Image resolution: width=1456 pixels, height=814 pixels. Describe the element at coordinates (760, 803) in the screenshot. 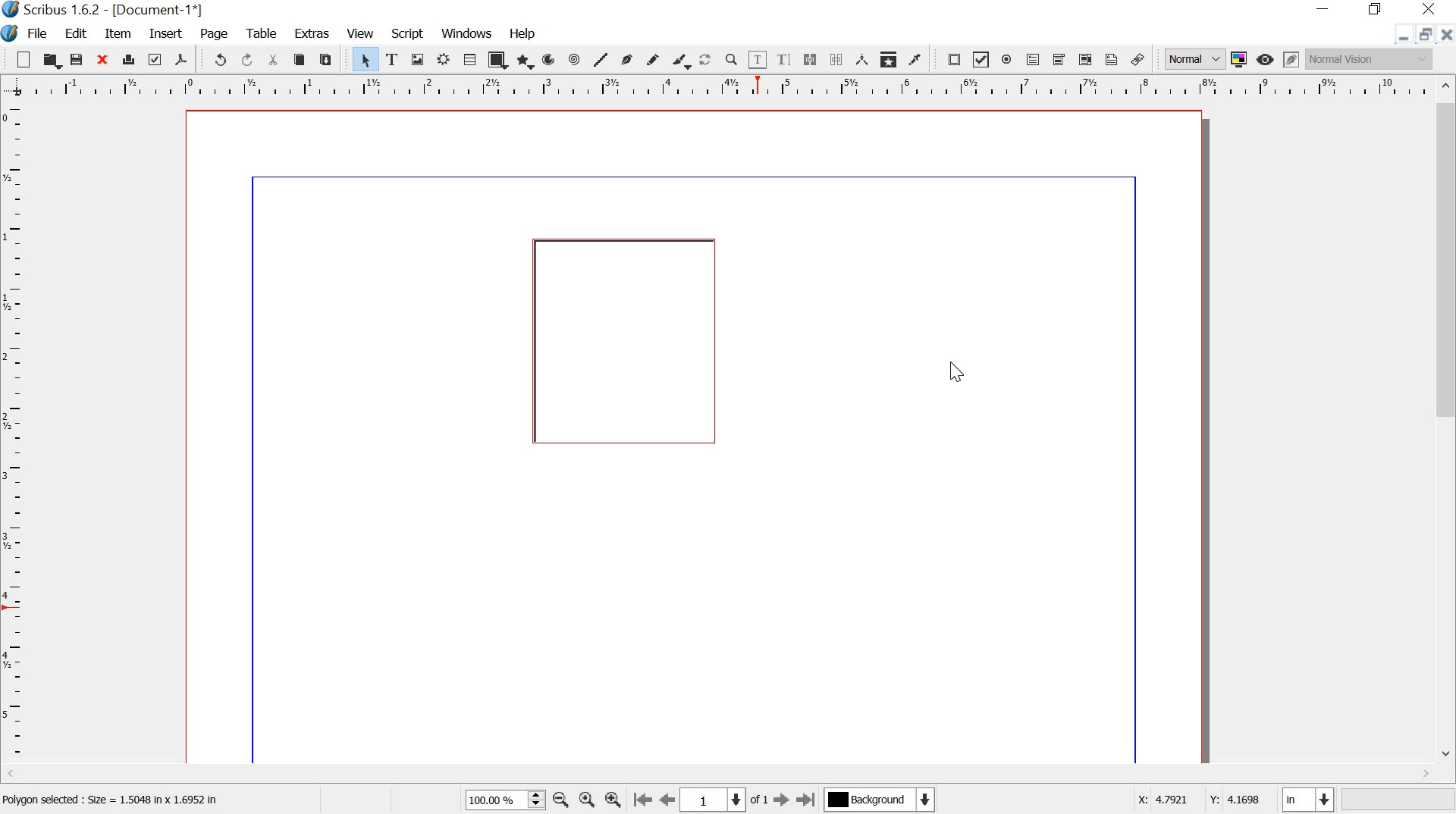

I see `of 1` at that location.